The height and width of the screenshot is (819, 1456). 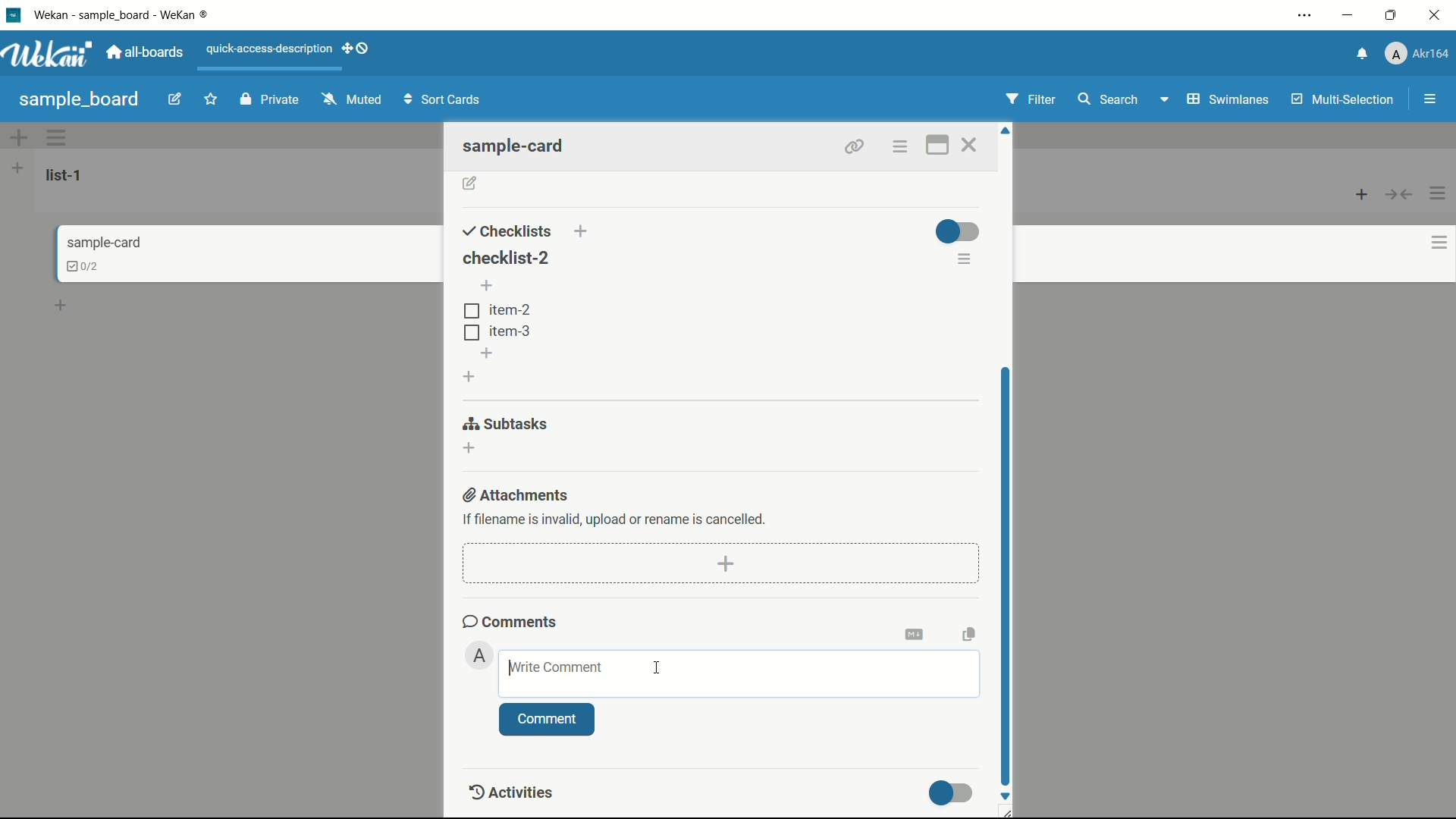 What do you see at coordinates (20, 137) in the screenshot?
I see `add swimlane` at bounding box center [20, 137].